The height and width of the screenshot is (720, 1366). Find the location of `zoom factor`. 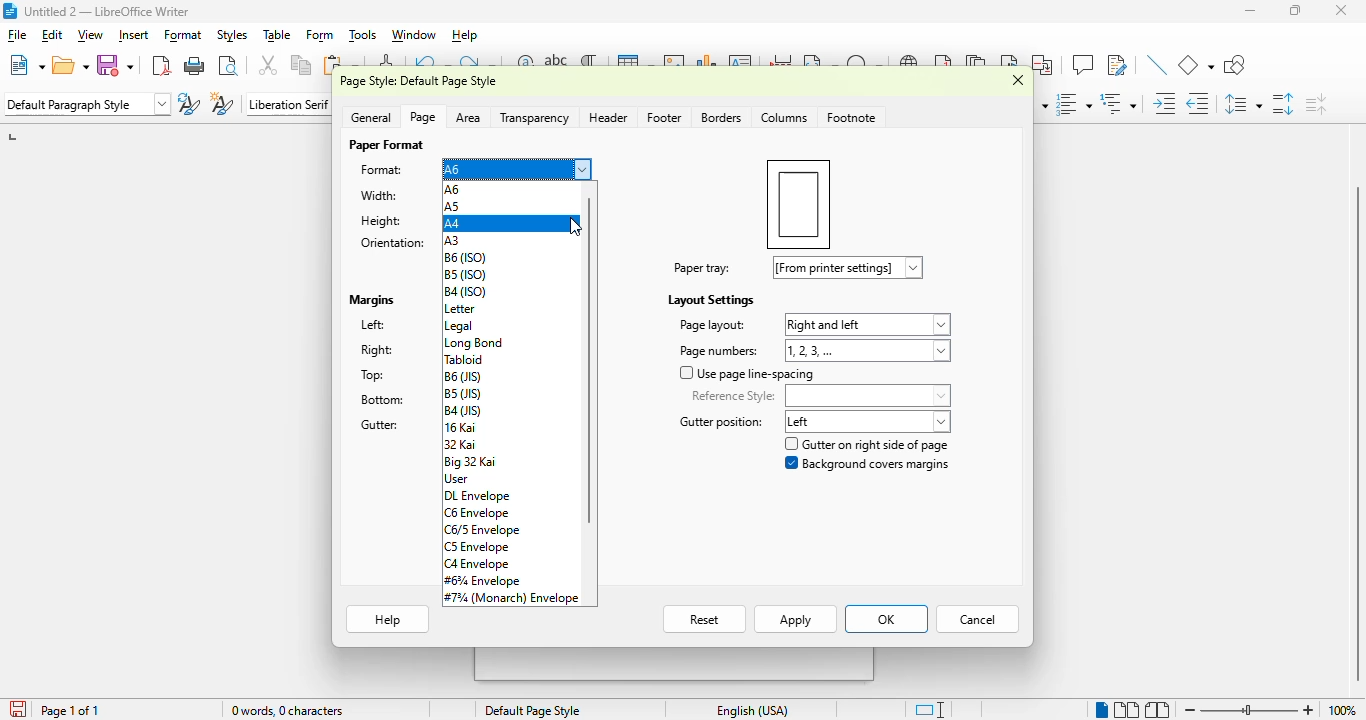

zoom factor is located at coordinates (1343, 710).